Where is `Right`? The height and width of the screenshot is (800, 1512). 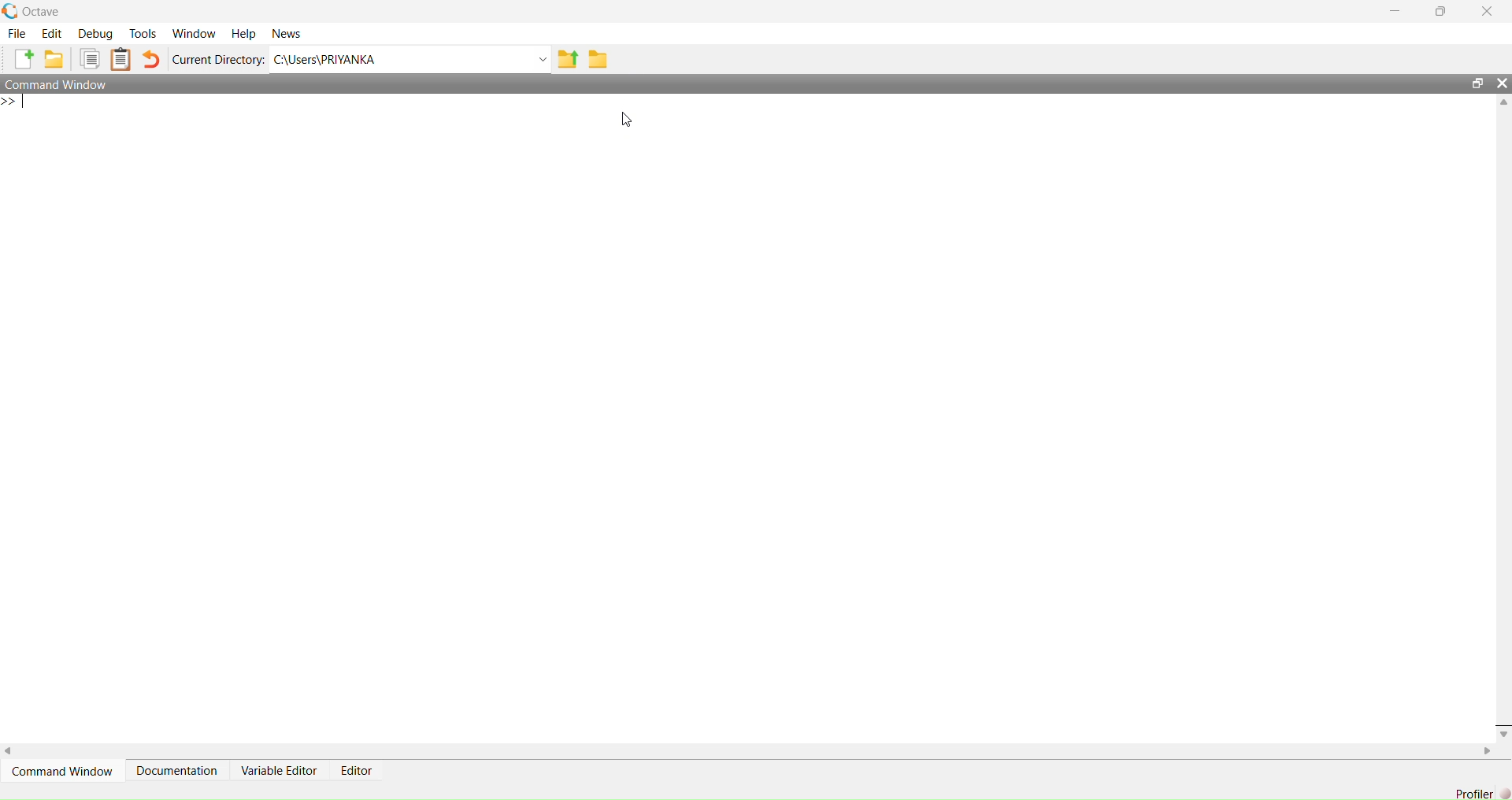
Right is located at coordinates (1488, 753).